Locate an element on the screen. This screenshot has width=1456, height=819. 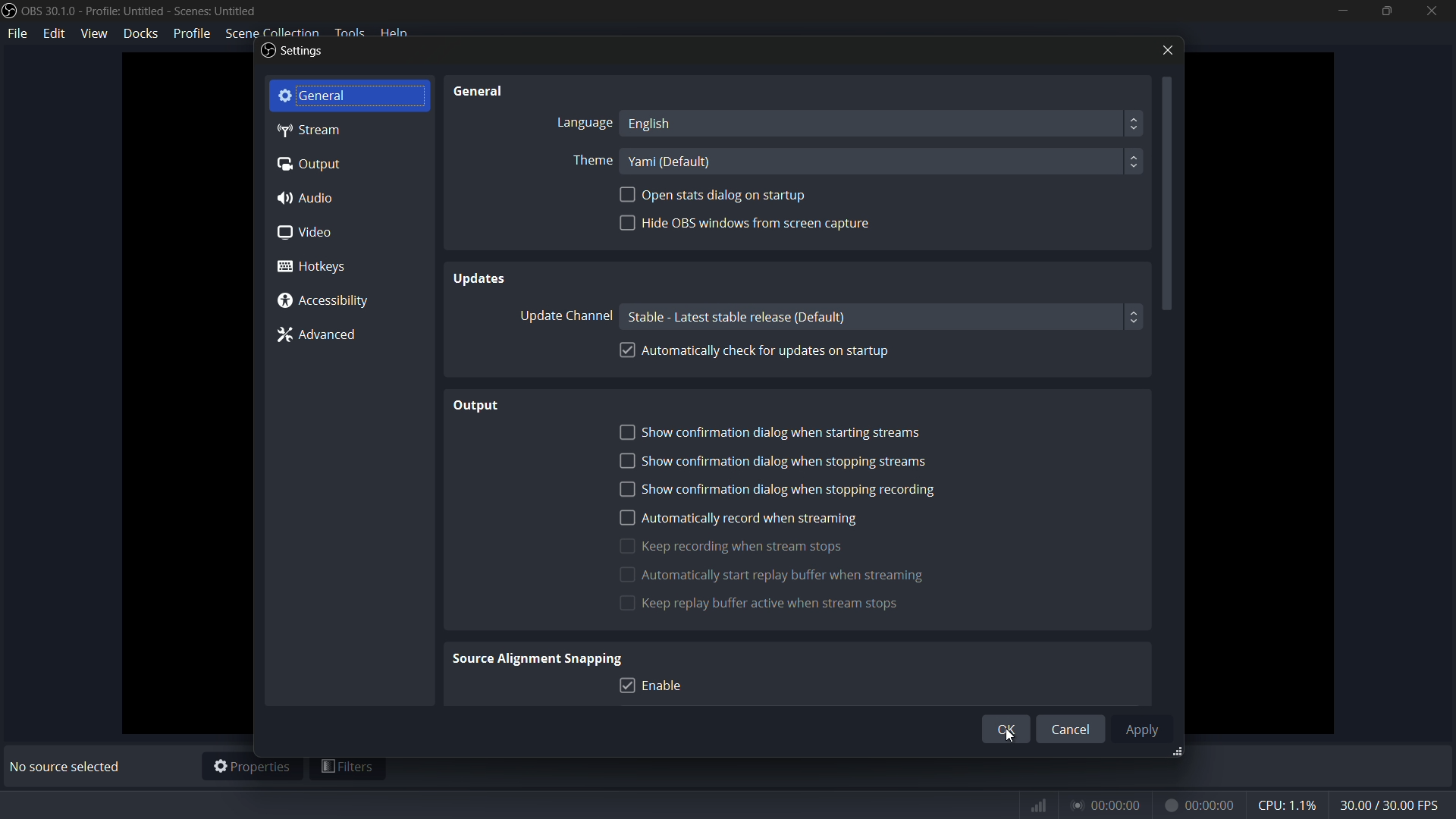
Update Channel (Stable-Latest release (Default) is located at coordinates (823, 316).